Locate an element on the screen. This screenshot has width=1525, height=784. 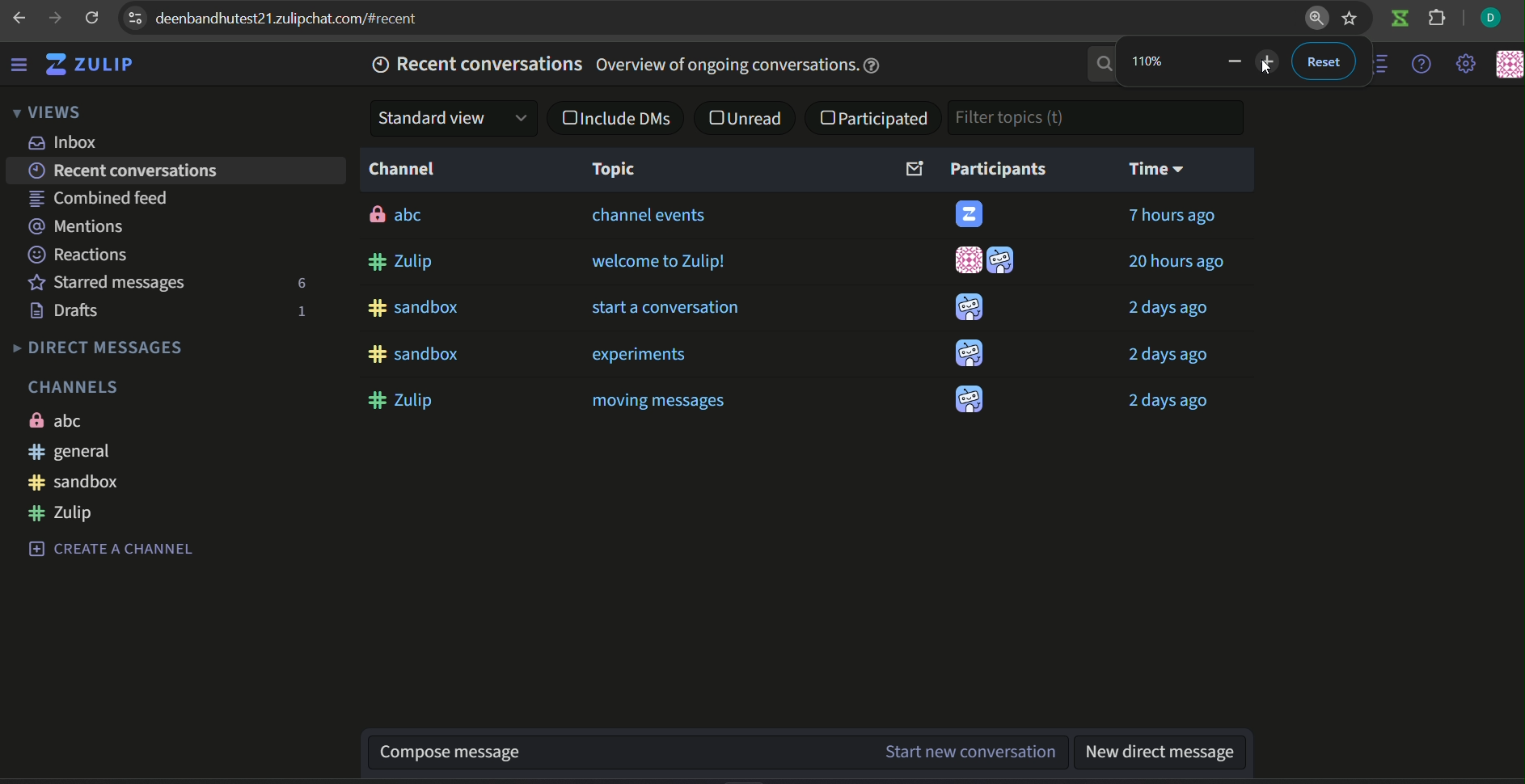
checkbox is located at coordinates (874, 120).